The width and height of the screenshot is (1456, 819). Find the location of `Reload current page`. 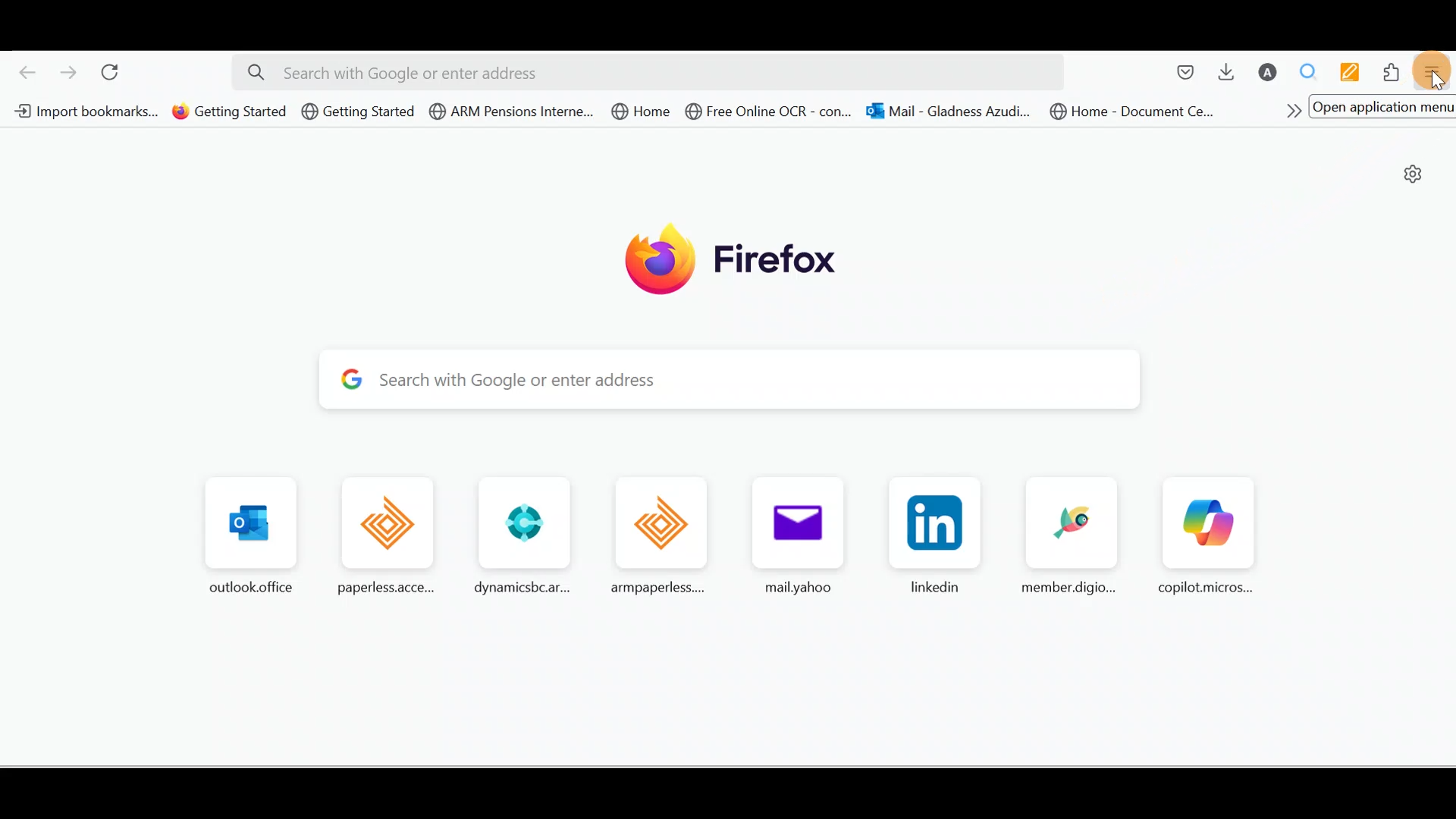

Reload current page is located at coordinates (119, 75).